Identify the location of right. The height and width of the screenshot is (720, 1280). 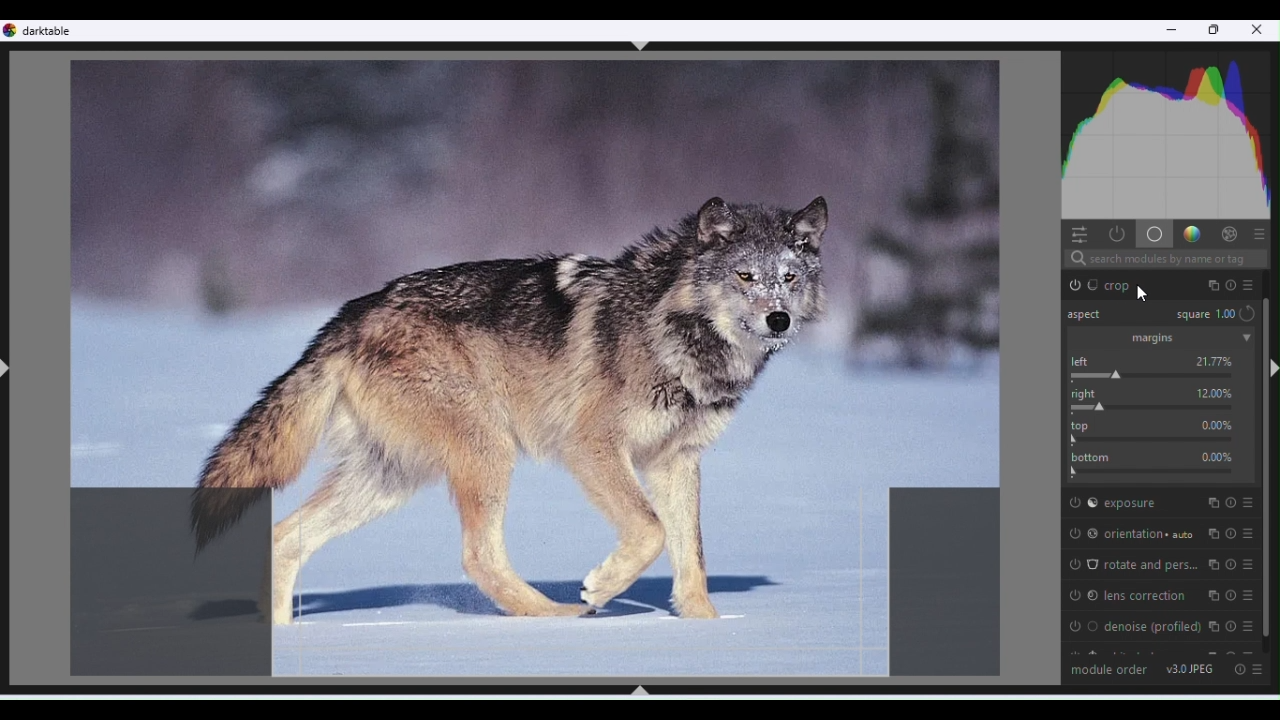
(1087, 393).